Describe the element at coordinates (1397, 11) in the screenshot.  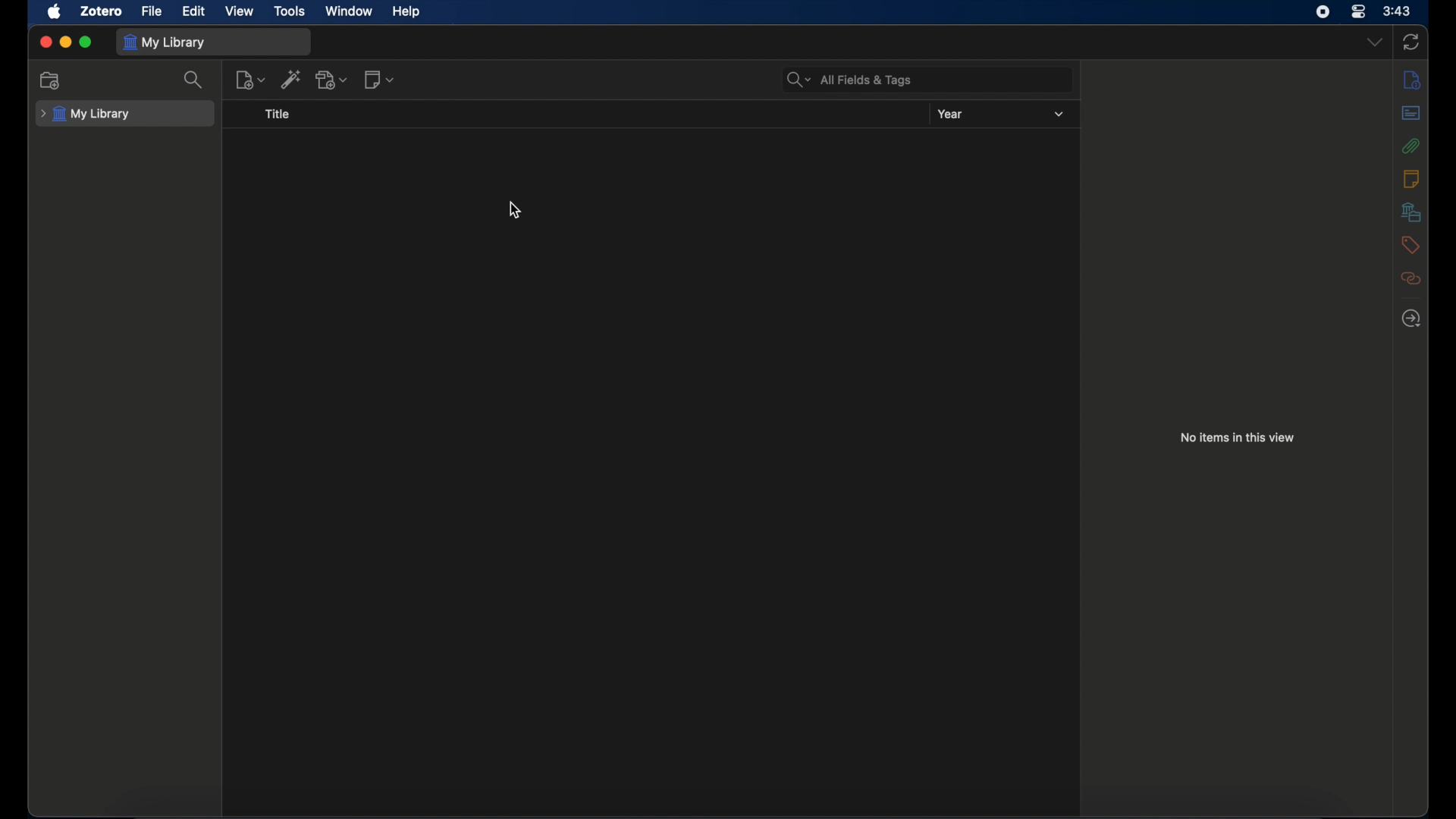
I see `time` at that location.